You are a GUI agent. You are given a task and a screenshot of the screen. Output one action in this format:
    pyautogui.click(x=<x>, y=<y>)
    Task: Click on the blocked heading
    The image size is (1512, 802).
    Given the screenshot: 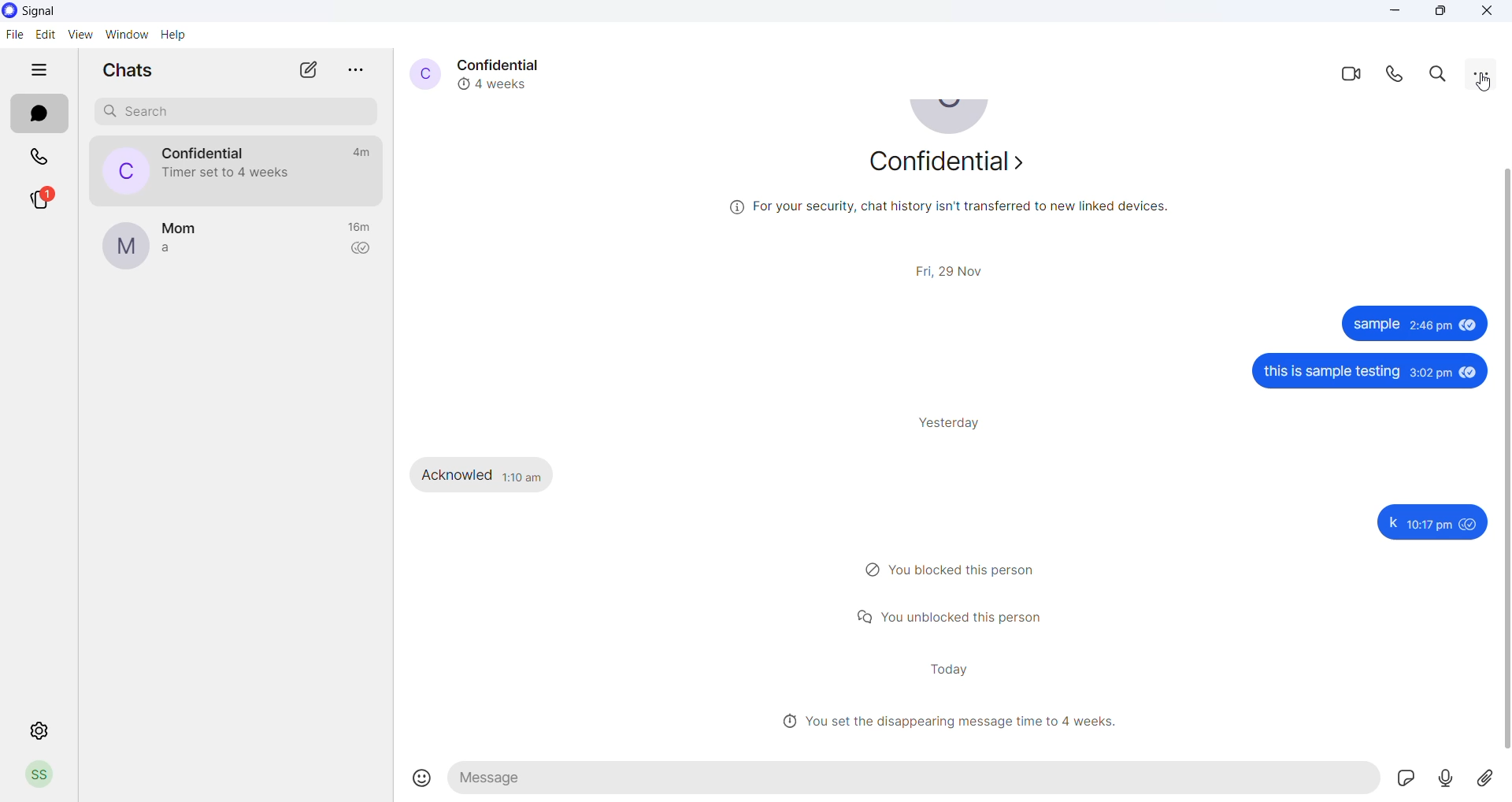 What is the action you would take?
    pyautogui.click(x=958, y=570)
    